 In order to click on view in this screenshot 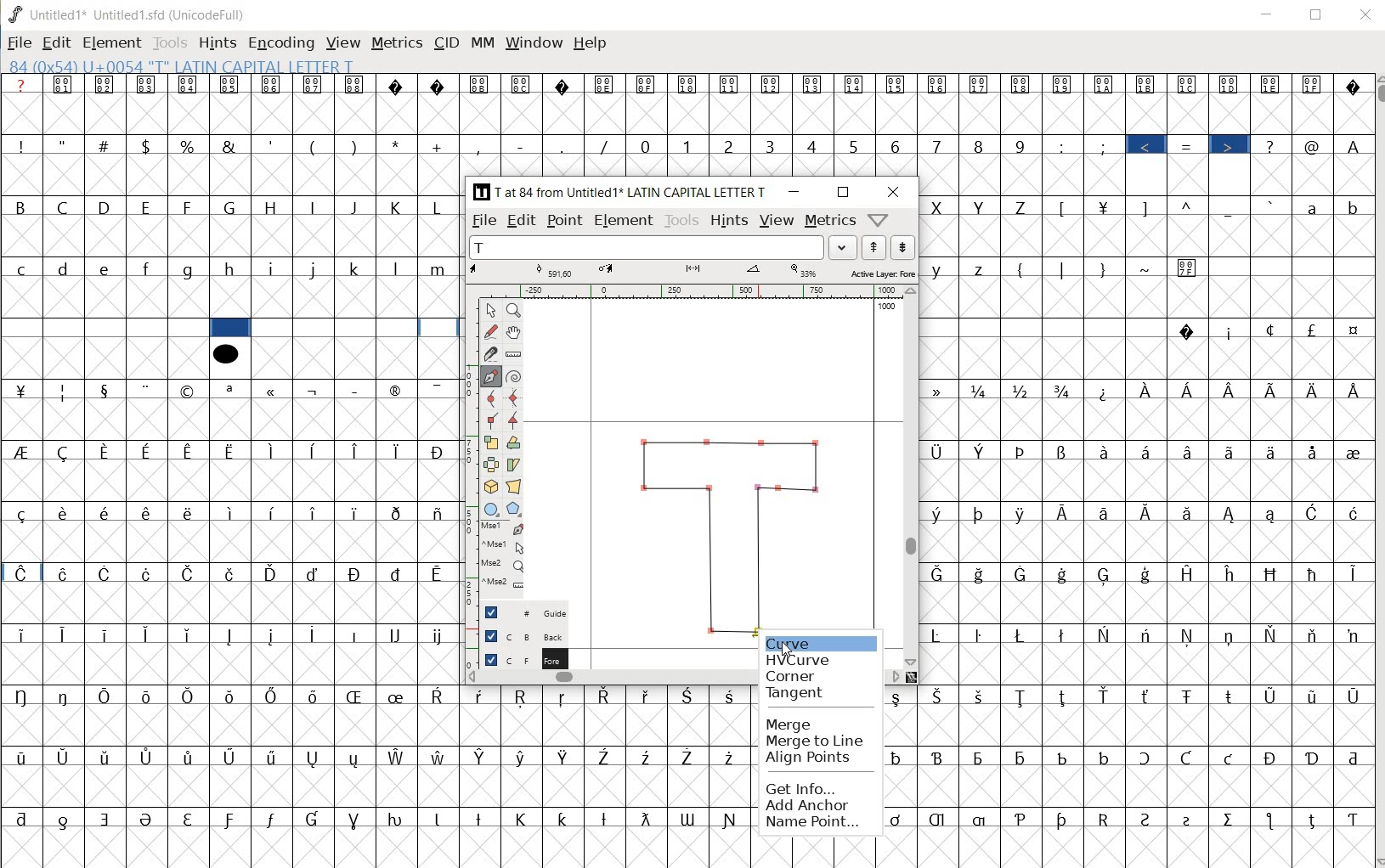, I will do `click(344, 42)`.